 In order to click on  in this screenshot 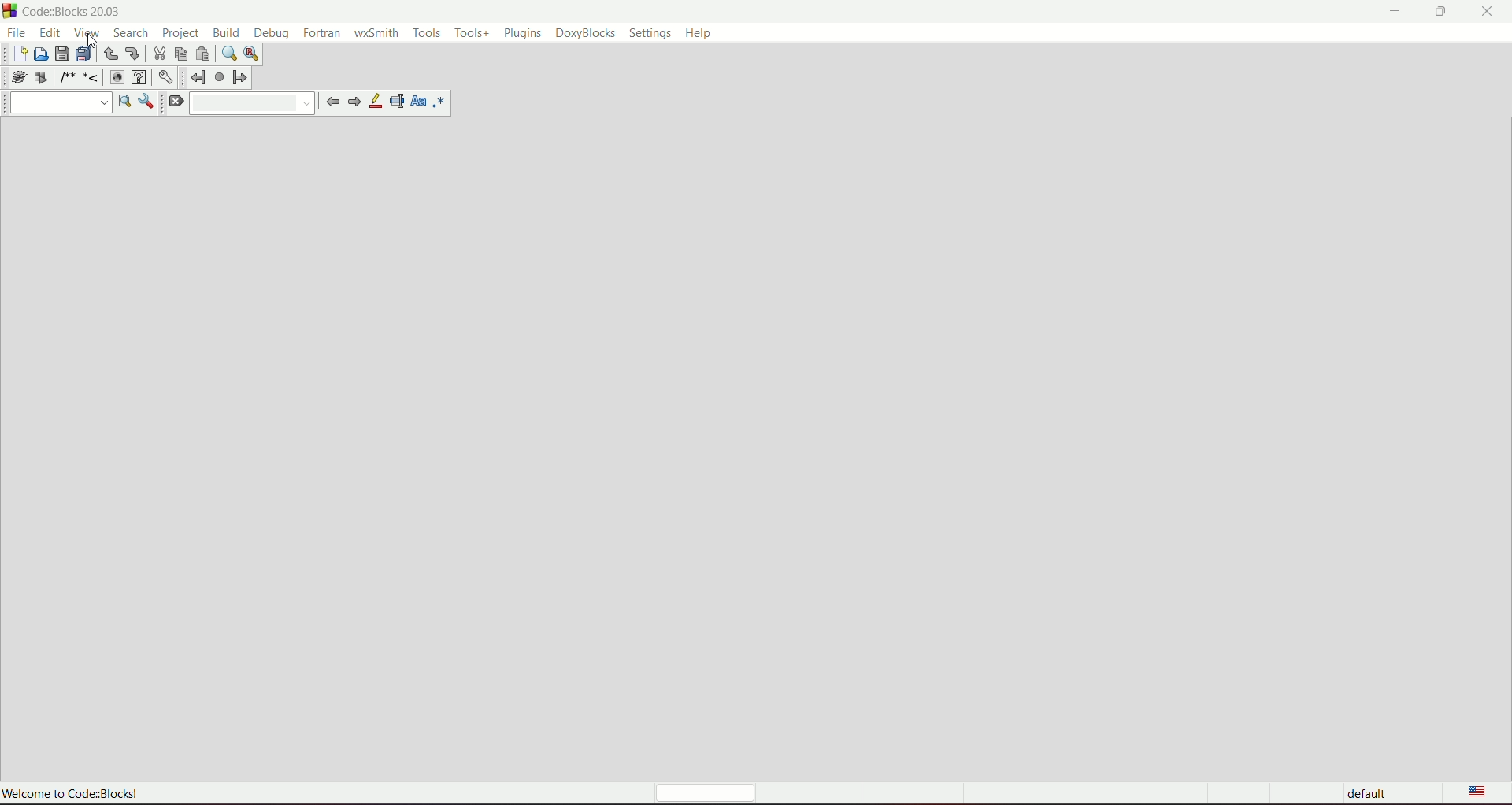, I will do `click(115, 76)`.